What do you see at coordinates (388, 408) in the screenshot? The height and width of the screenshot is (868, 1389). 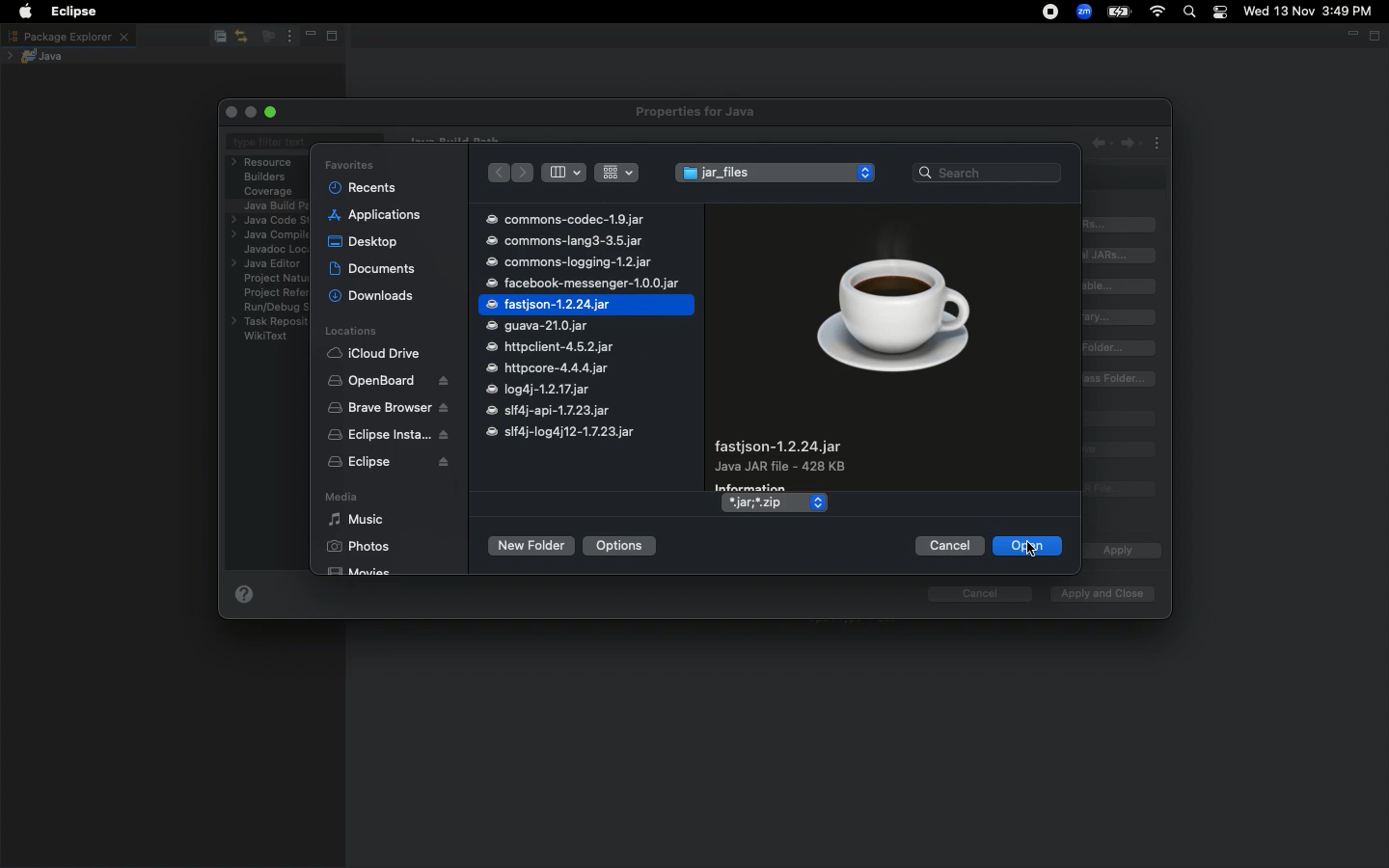 I see `Brave browser` at bounding box center [388, 408].